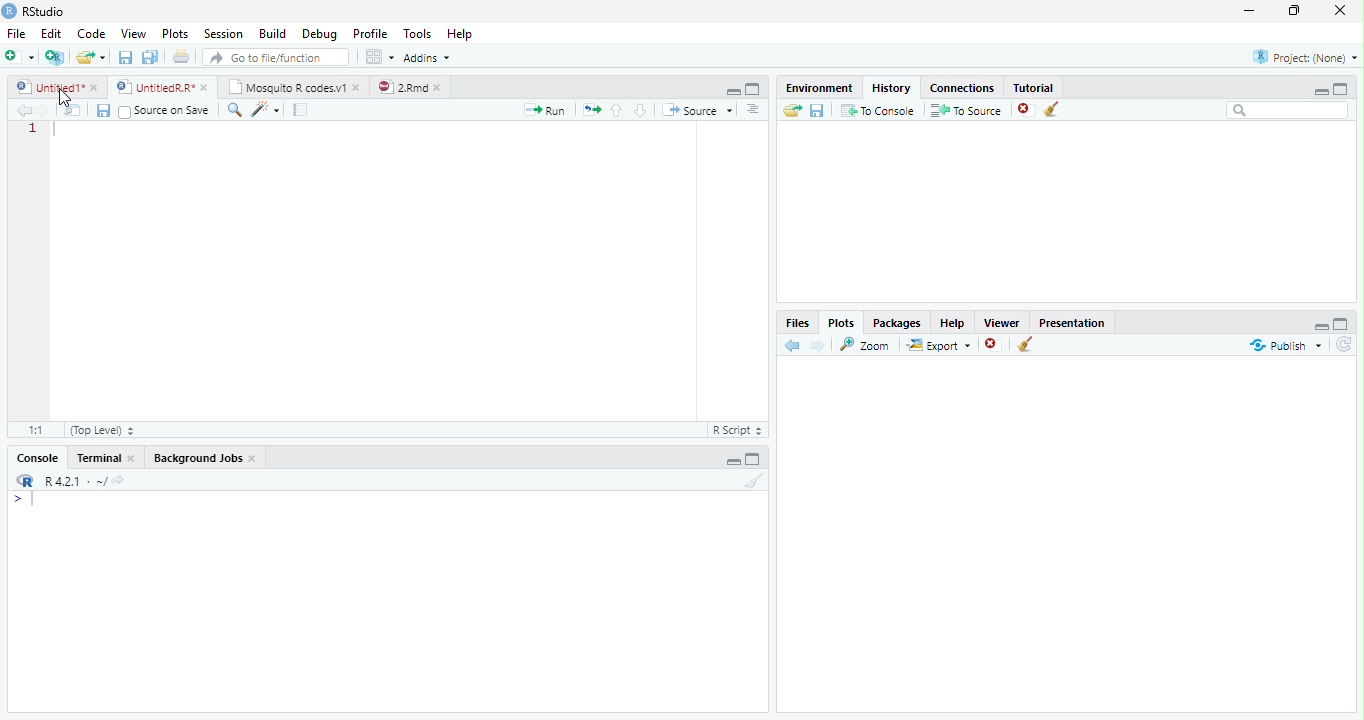  What do you see at coordinates (23, 110) in the screenshot?
I see `previous source location` at bounding box center [23, 110].